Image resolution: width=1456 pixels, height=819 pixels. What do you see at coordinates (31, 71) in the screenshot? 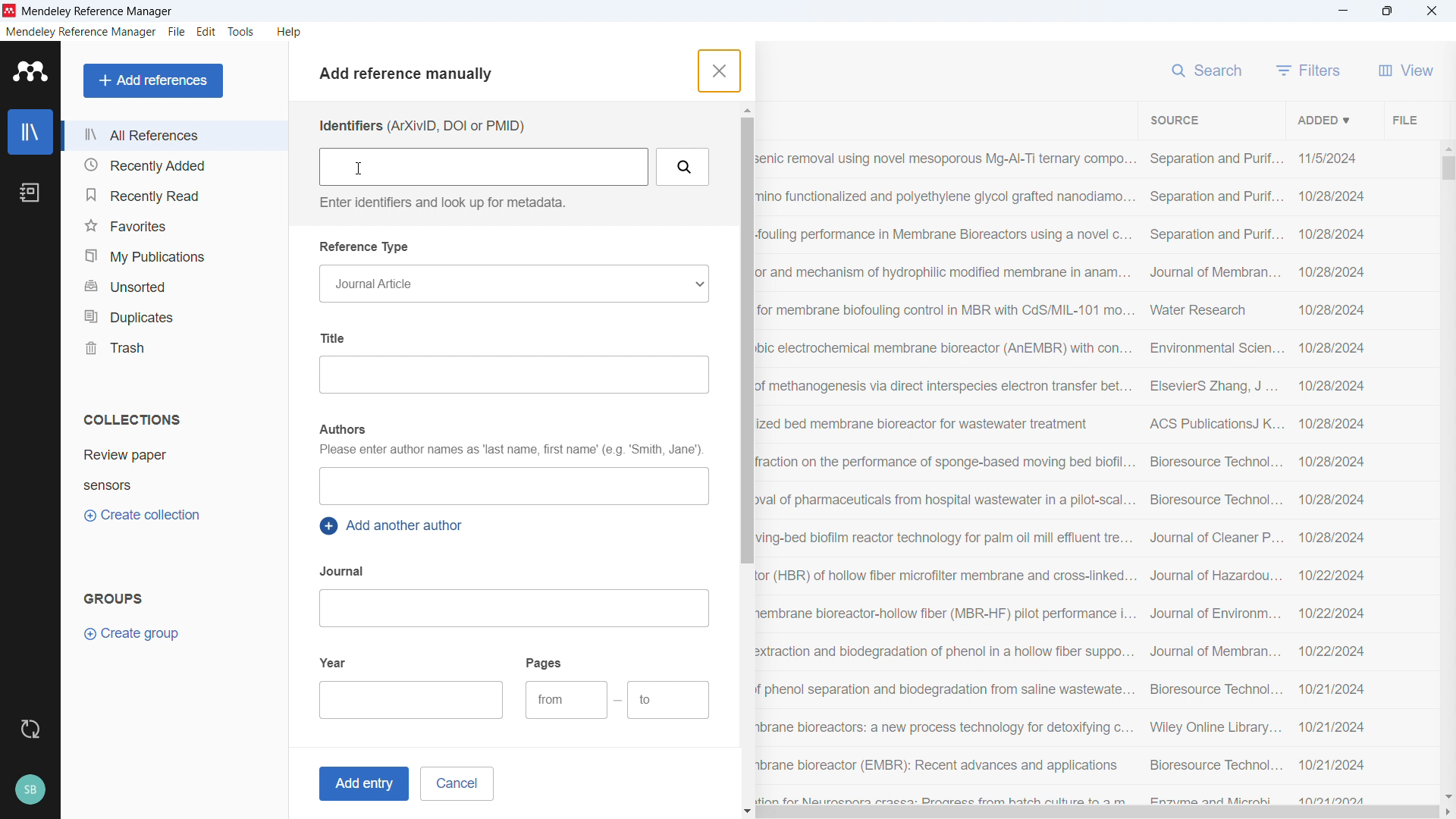
I see `Logo ` at bounding box center [31, 71].